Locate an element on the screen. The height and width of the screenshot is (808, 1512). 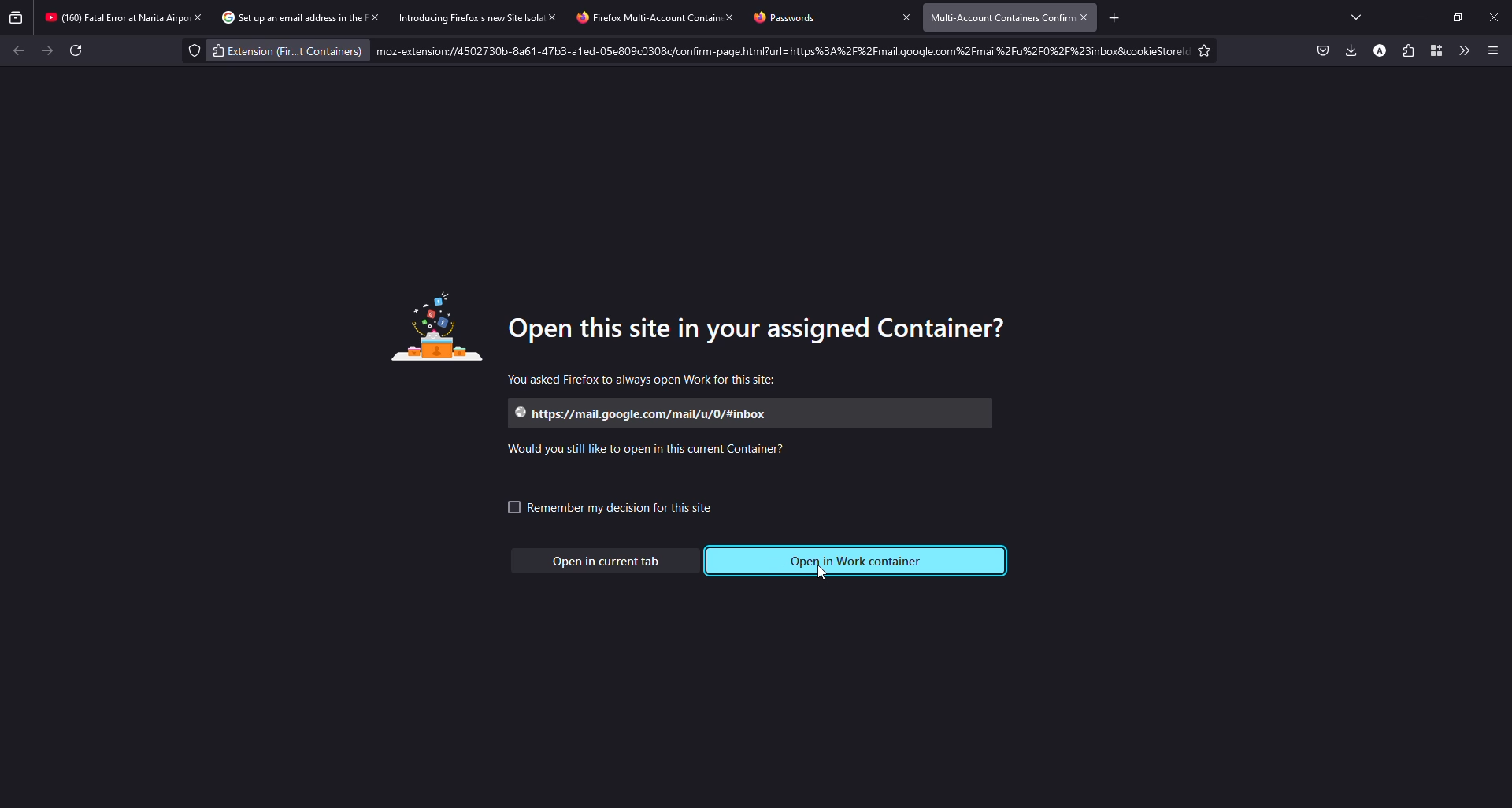
You asked Firefox to always open Work for this site: is located at coordinates (642, 380).